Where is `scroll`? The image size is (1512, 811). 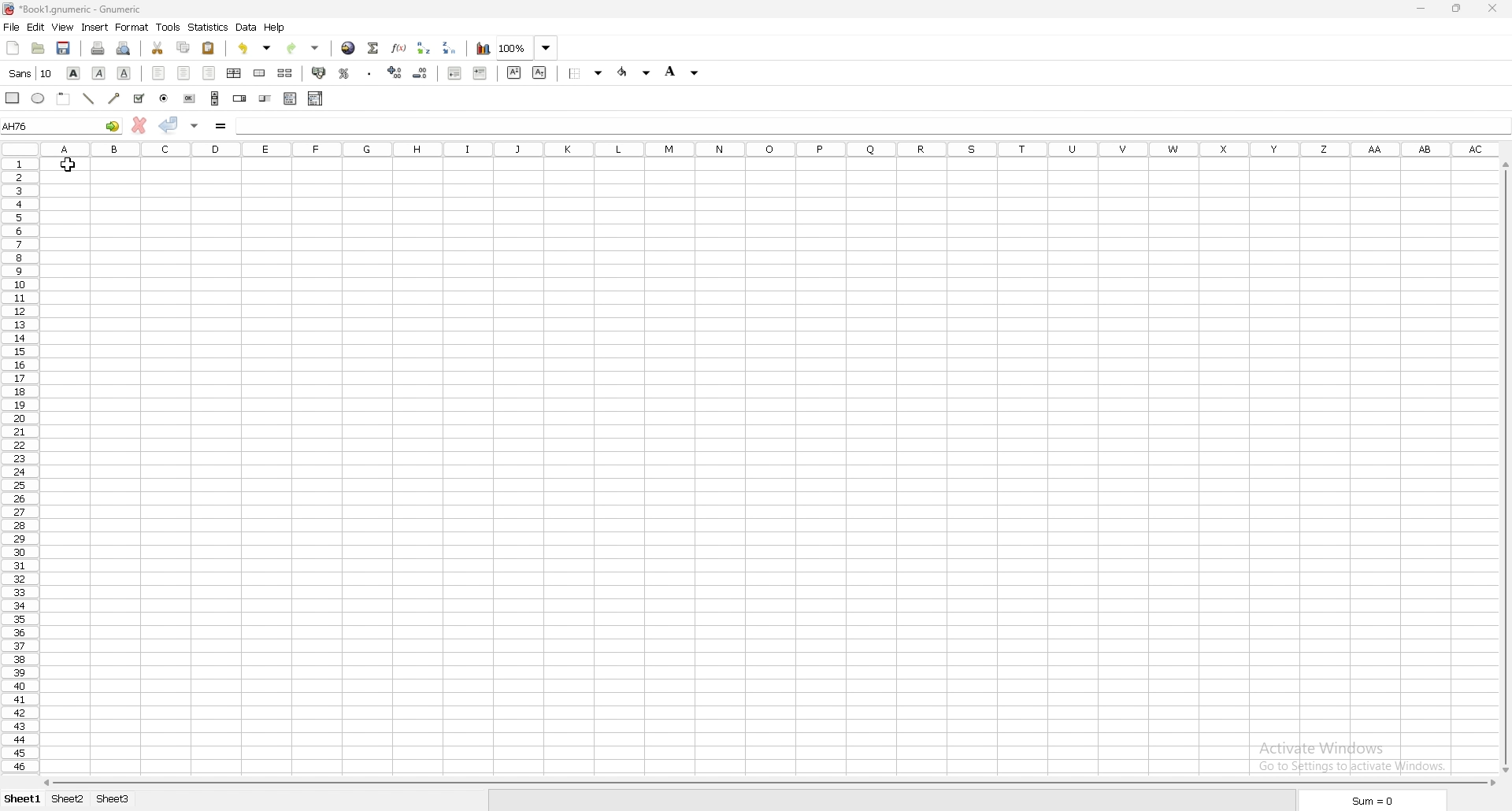 scroll is located at coordinates (215, 98).